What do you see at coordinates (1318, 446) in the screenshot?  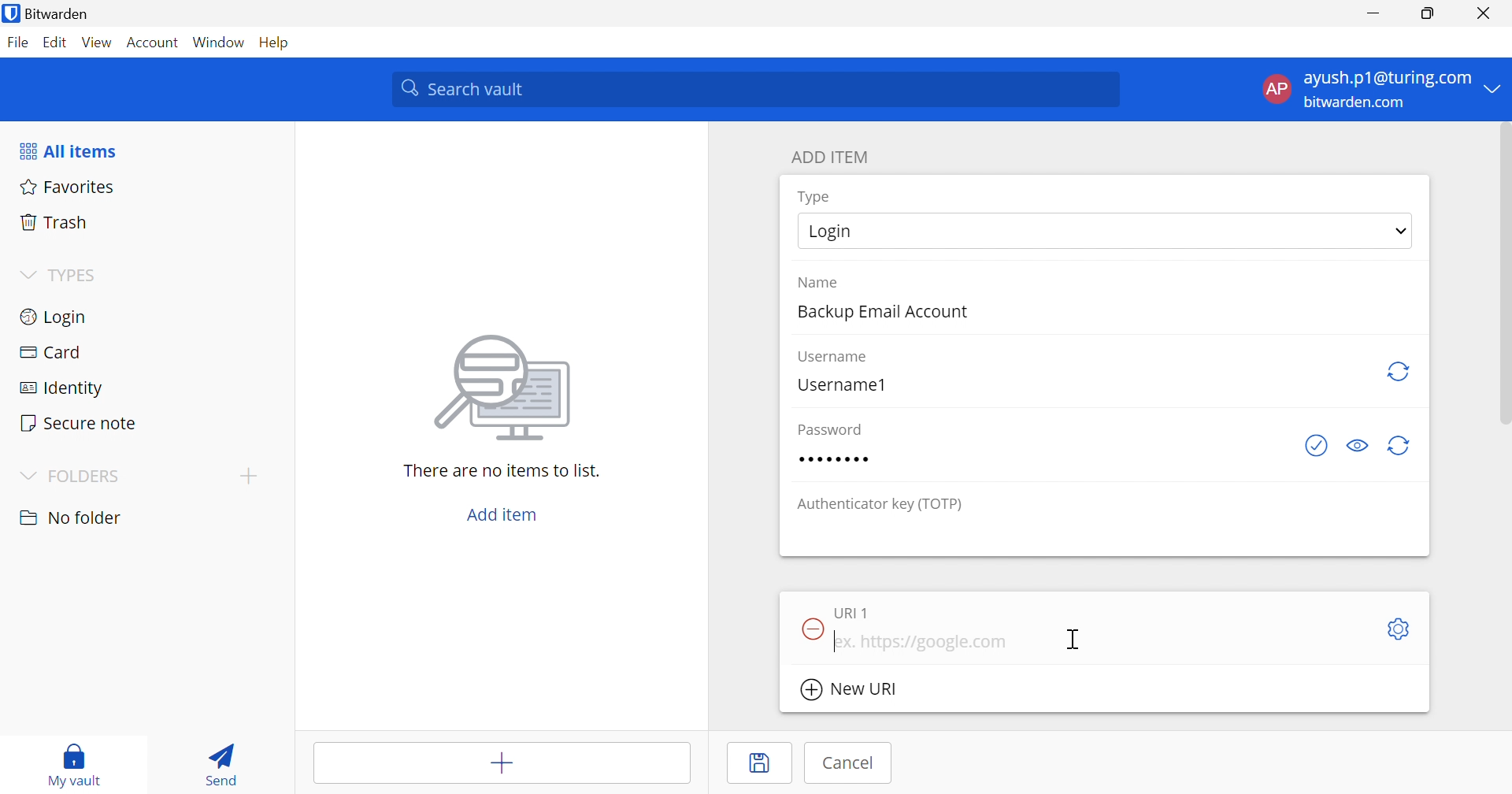 I see `Check if password has been exposed` at bounding box center [1318, 446].